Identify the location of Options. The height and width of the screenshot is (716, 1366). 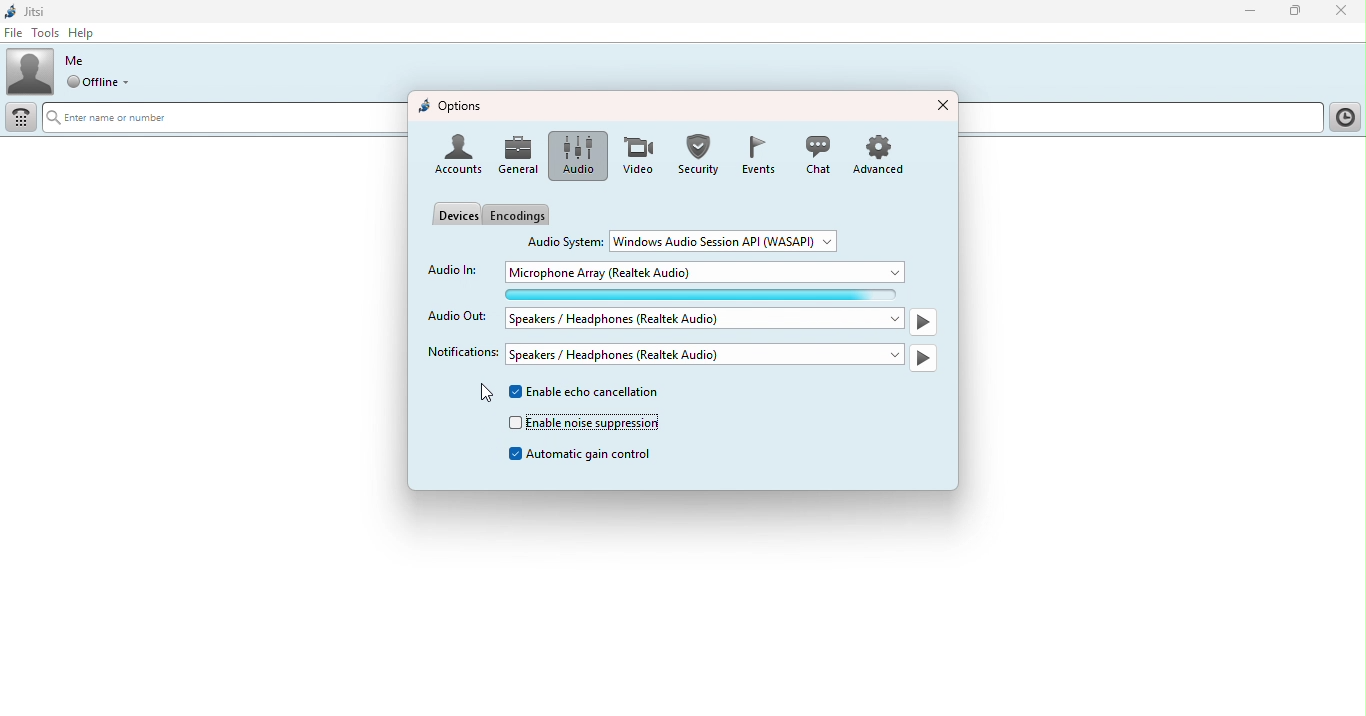
(452, 107).